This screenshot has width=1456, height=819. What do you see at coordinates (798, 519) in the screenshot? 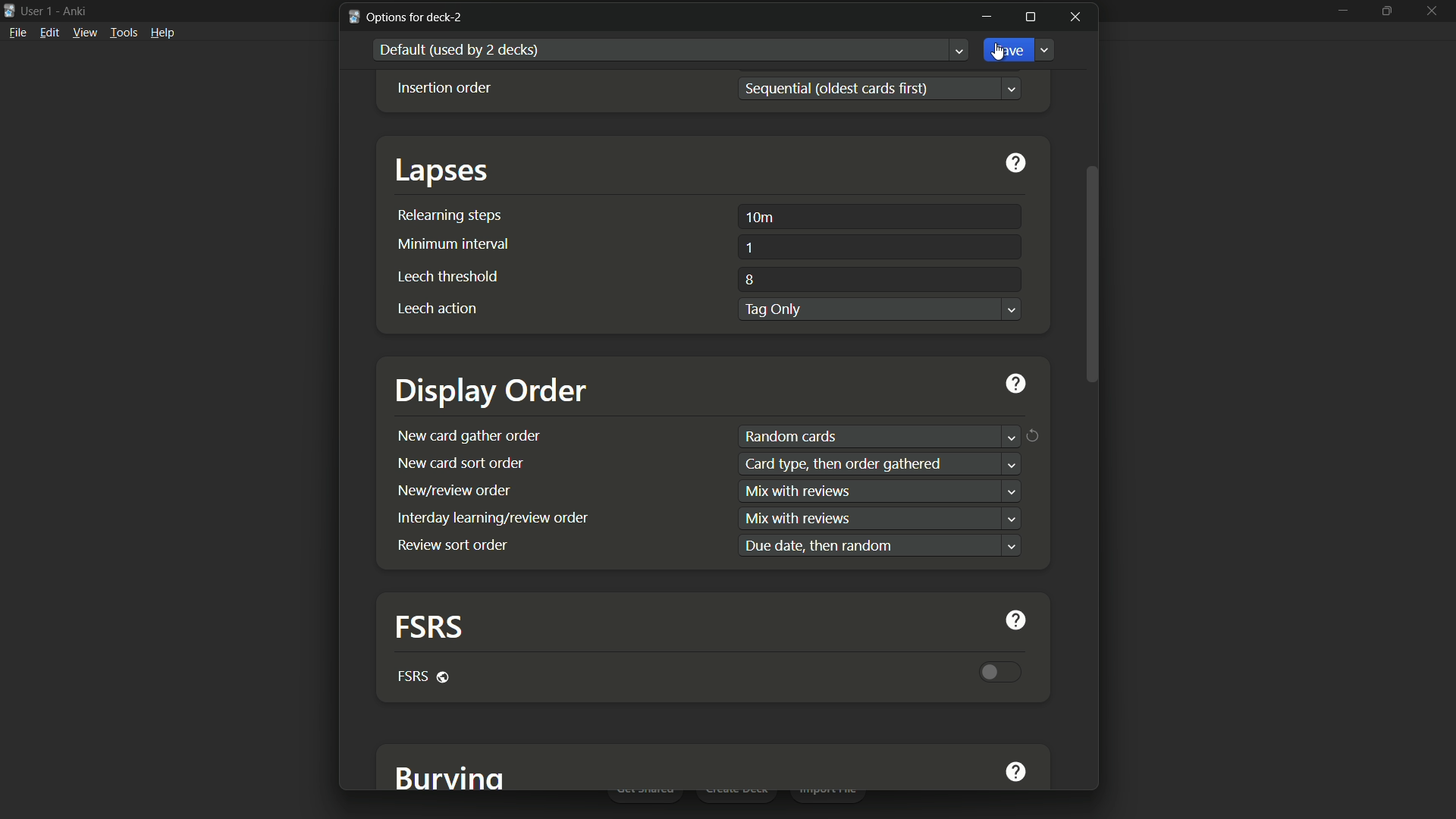
I see `text` at bounding box center [798, 519].